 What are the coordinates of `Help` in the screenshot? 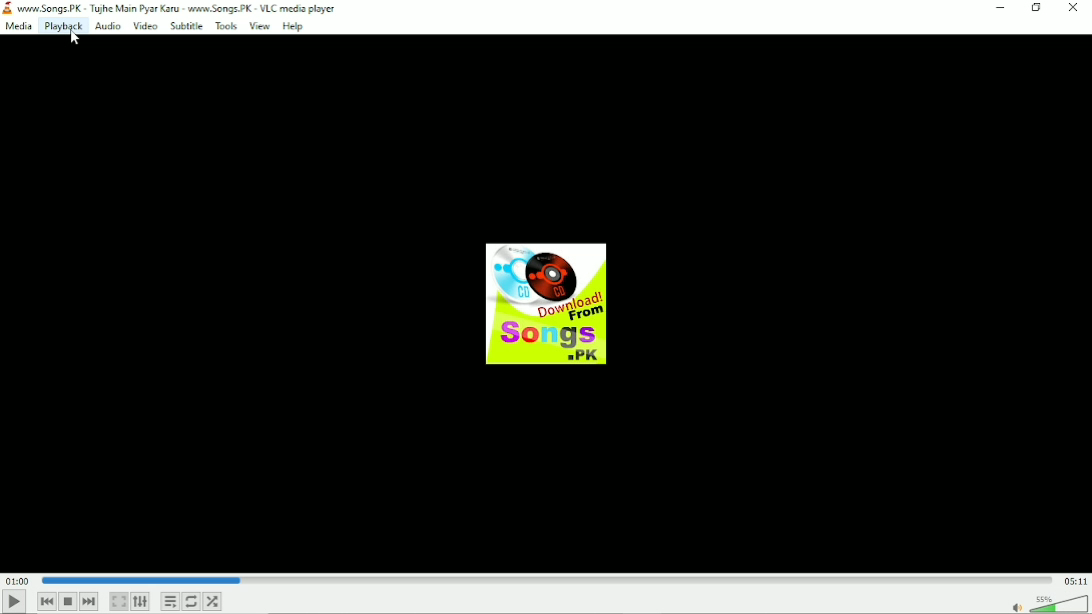 It's located at (294, 27).